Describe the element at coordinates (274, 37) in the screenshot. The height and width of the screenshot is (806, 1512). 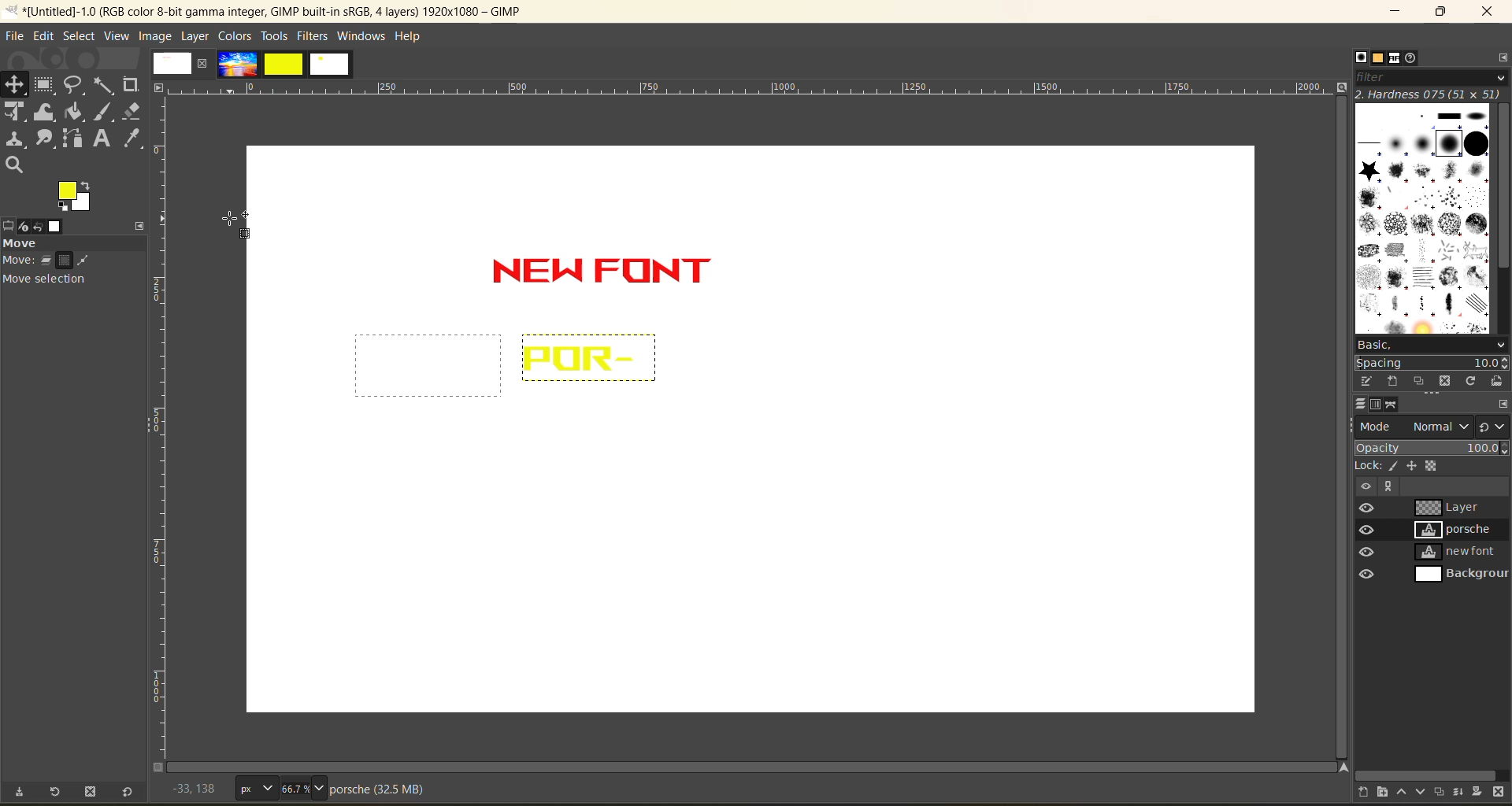
I see `tools` at that location.